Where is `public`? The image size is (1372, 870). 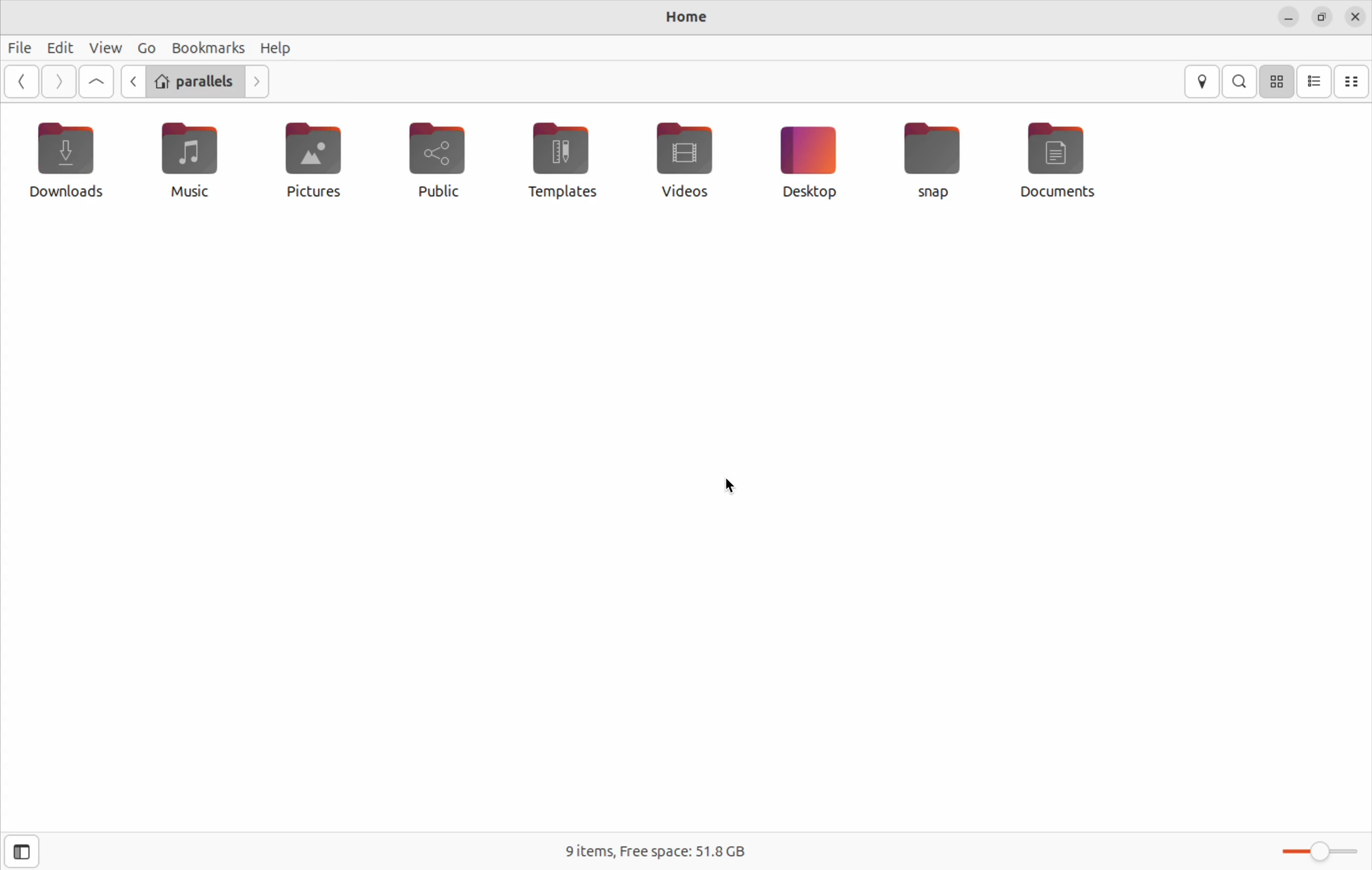
public is located at coordinates (439, 158).